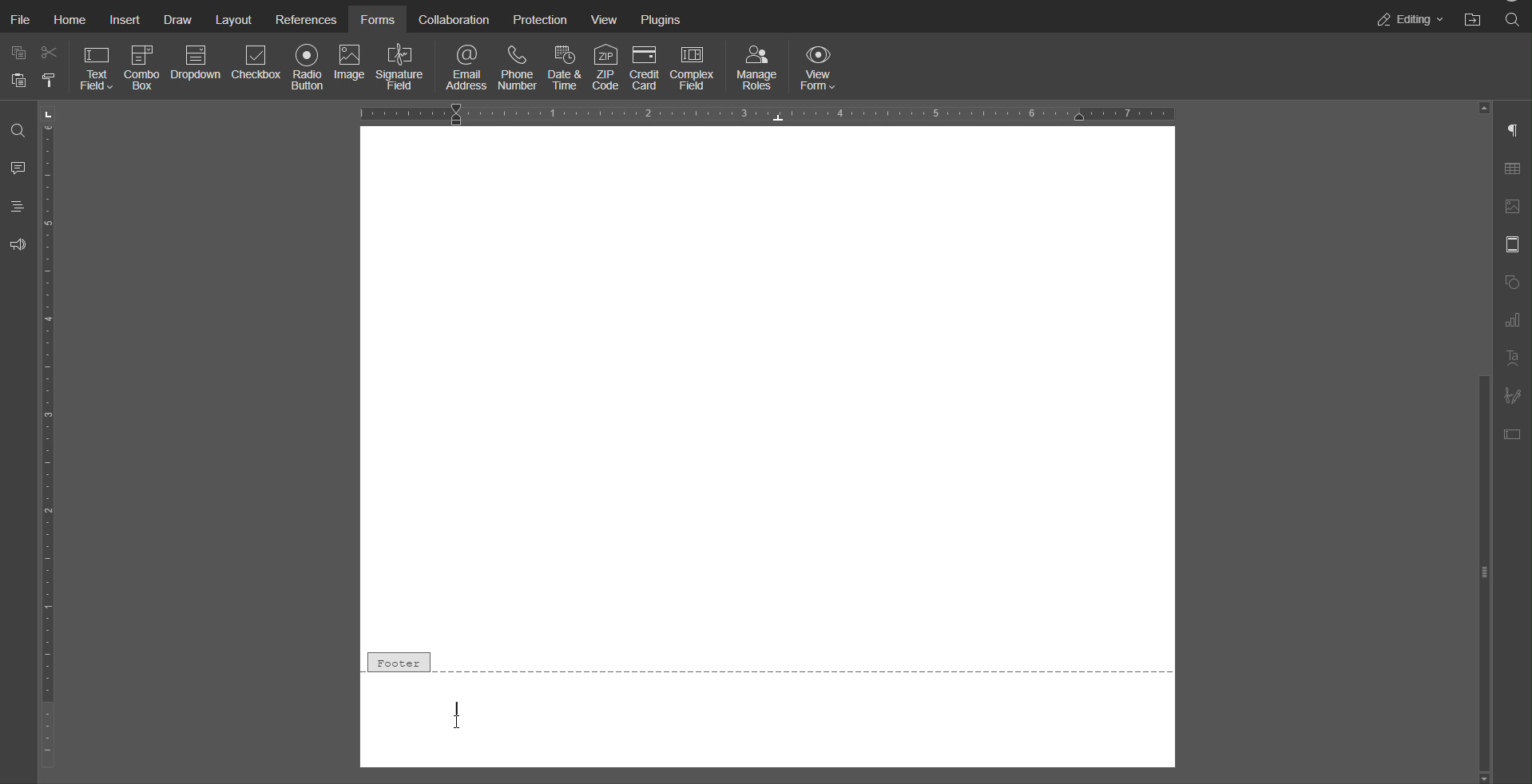 The width and height of the screenshot is (1532, 784). I want to click on Image Settings, so click(1513, 206).